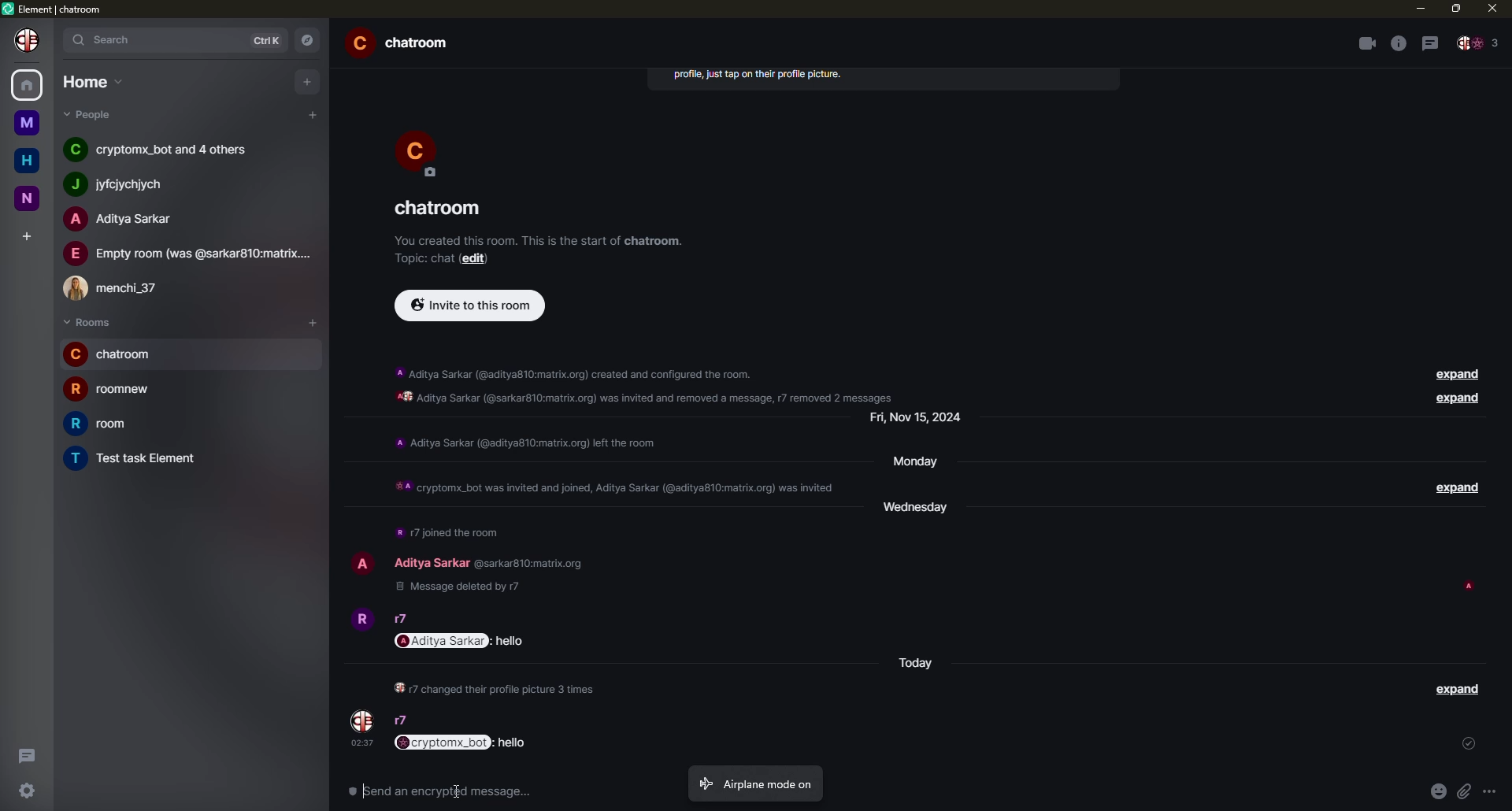 The height and width of the screenshot is (811, 1512). I want to click on topic, so click(425, 257).